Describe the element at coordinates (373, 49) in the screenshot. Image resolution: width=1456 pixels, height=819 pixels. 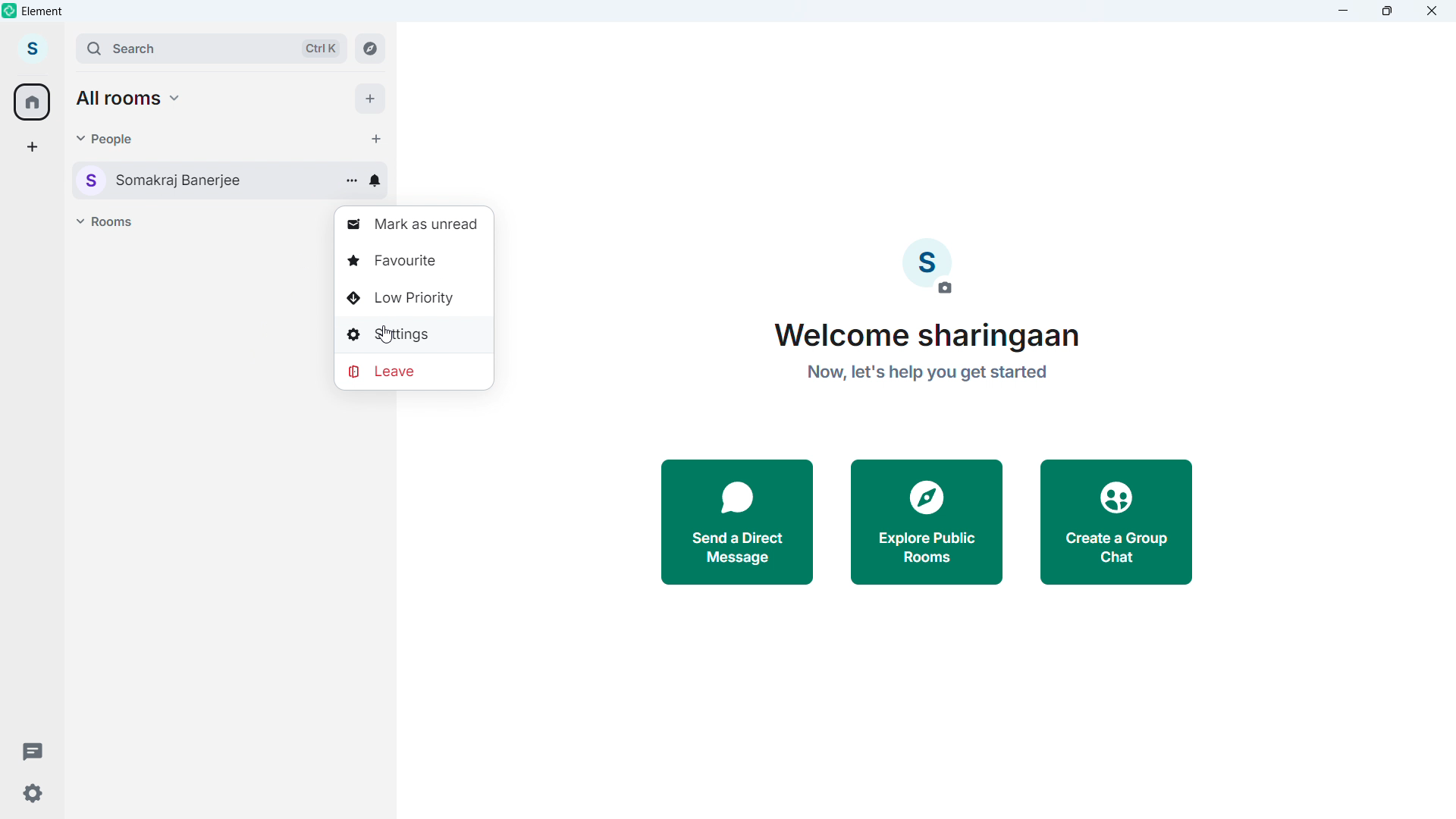
I see `explore room` at that location.